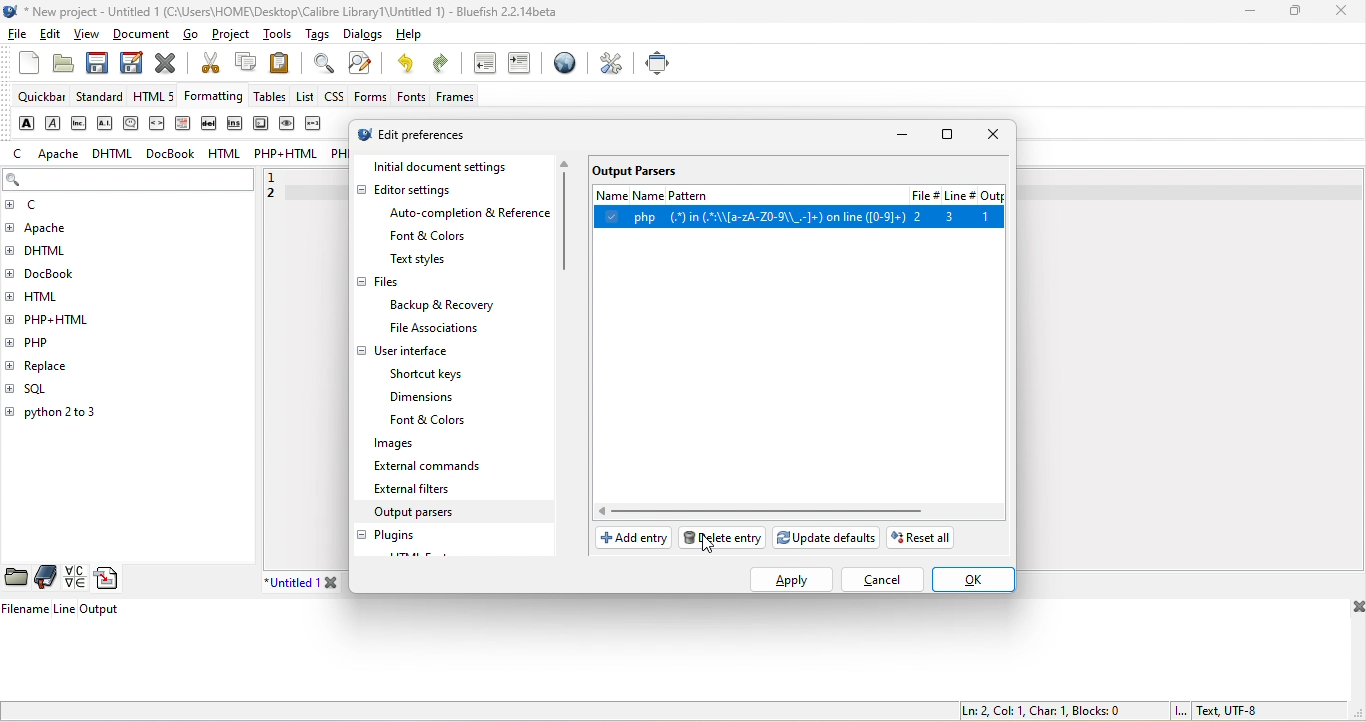 Image resolution: width=1366 pixels, height=722 pixels. I want to click on select option, so click(800, 216).